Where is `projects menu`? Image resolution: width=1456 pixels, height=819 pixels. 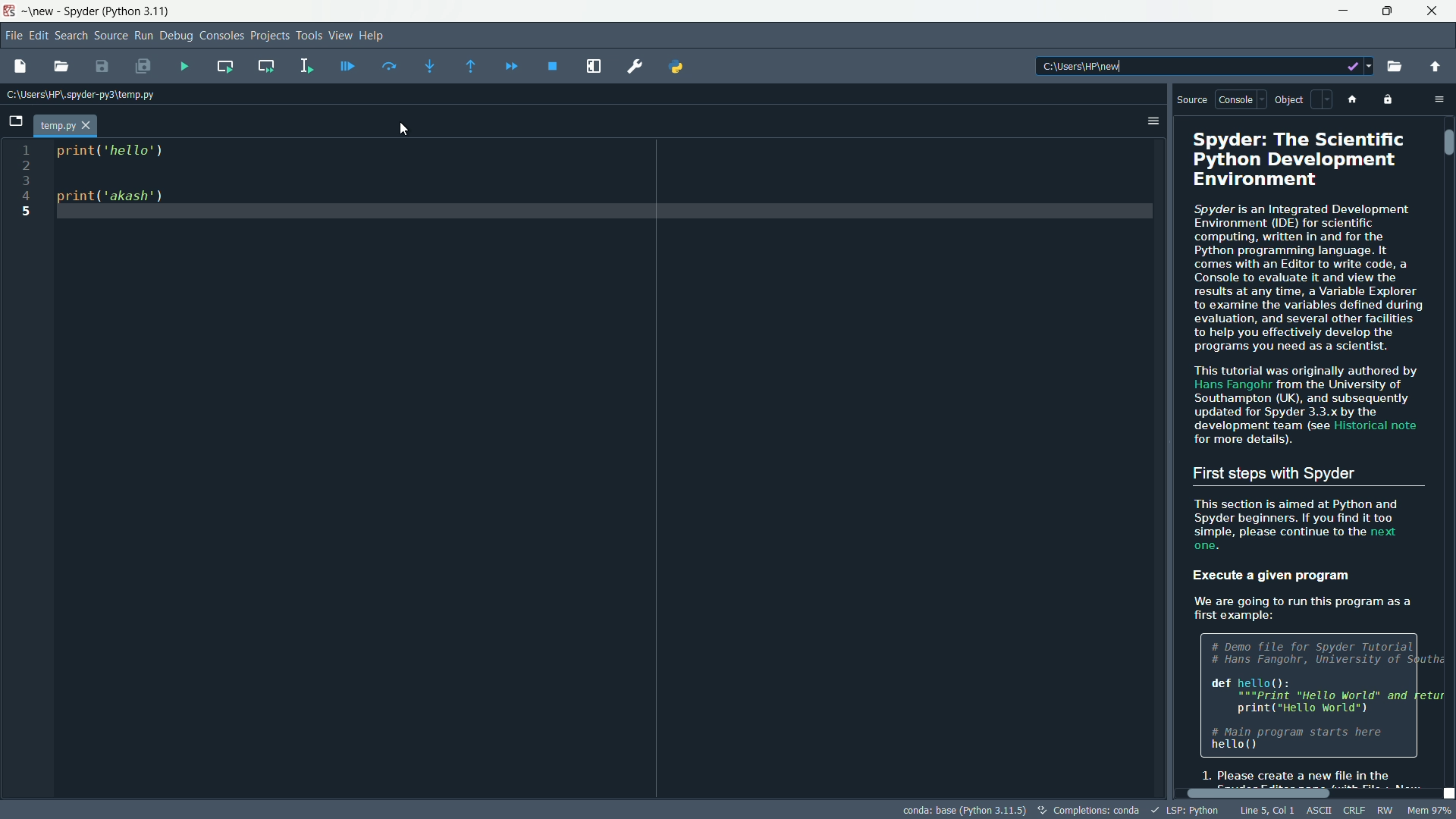 projects menu is located at coordinates (269, 36).